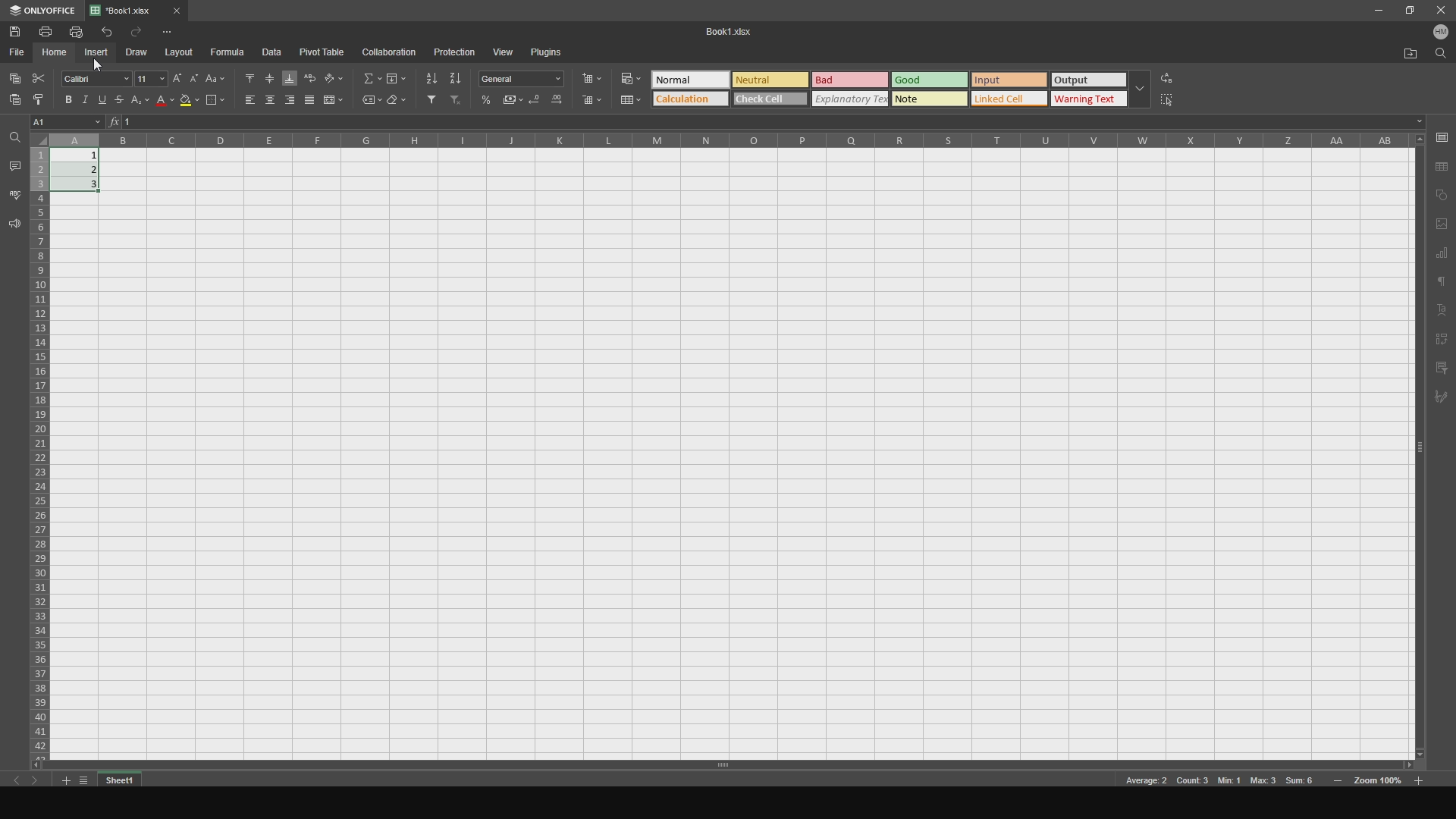 The width and height of the screenshot is (1456, 819). Describe the element at coordinates (1444, 339) in the screenshot. I see `pivot text` at that location.